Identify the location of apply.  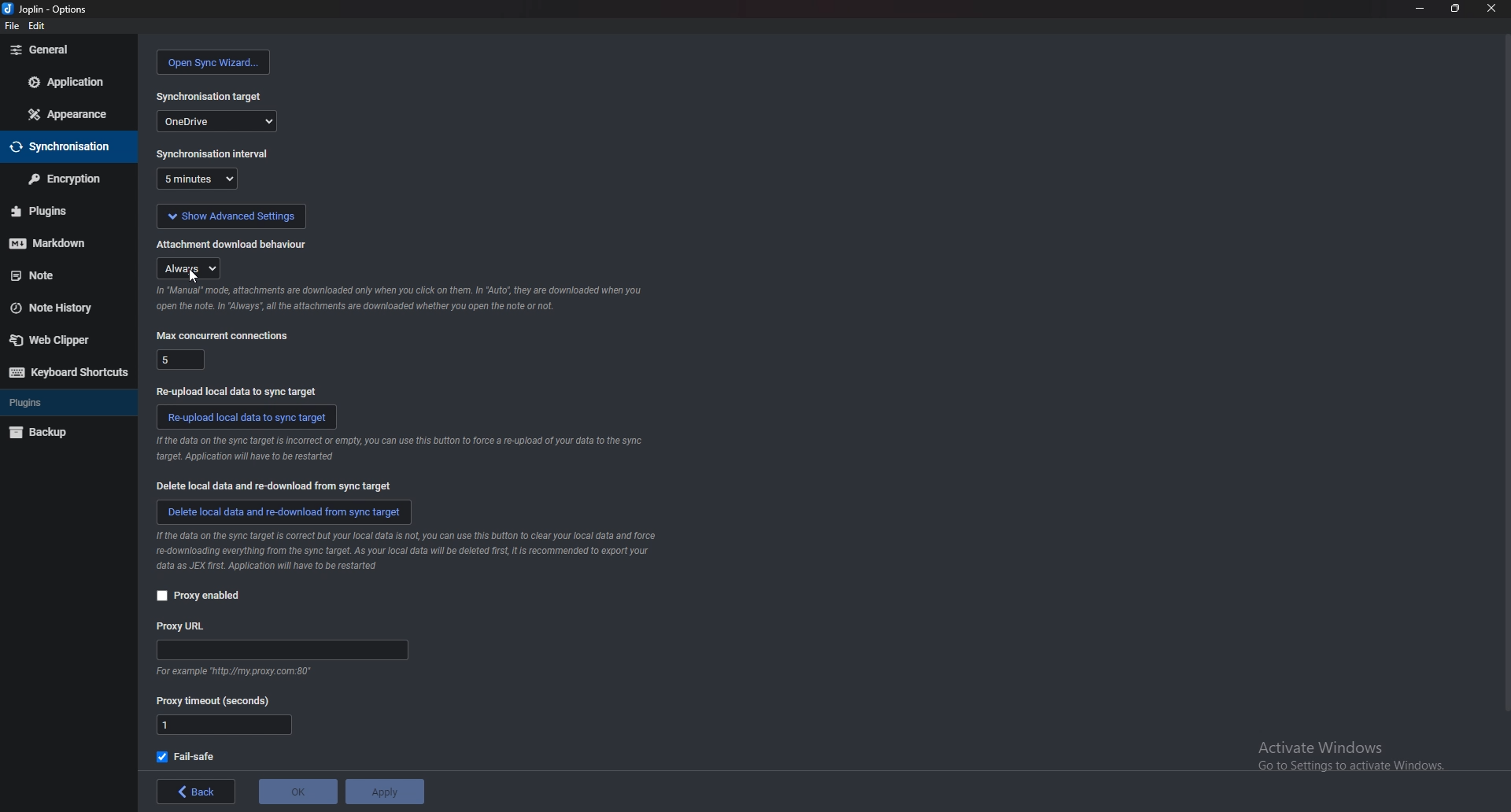
(384, 792).